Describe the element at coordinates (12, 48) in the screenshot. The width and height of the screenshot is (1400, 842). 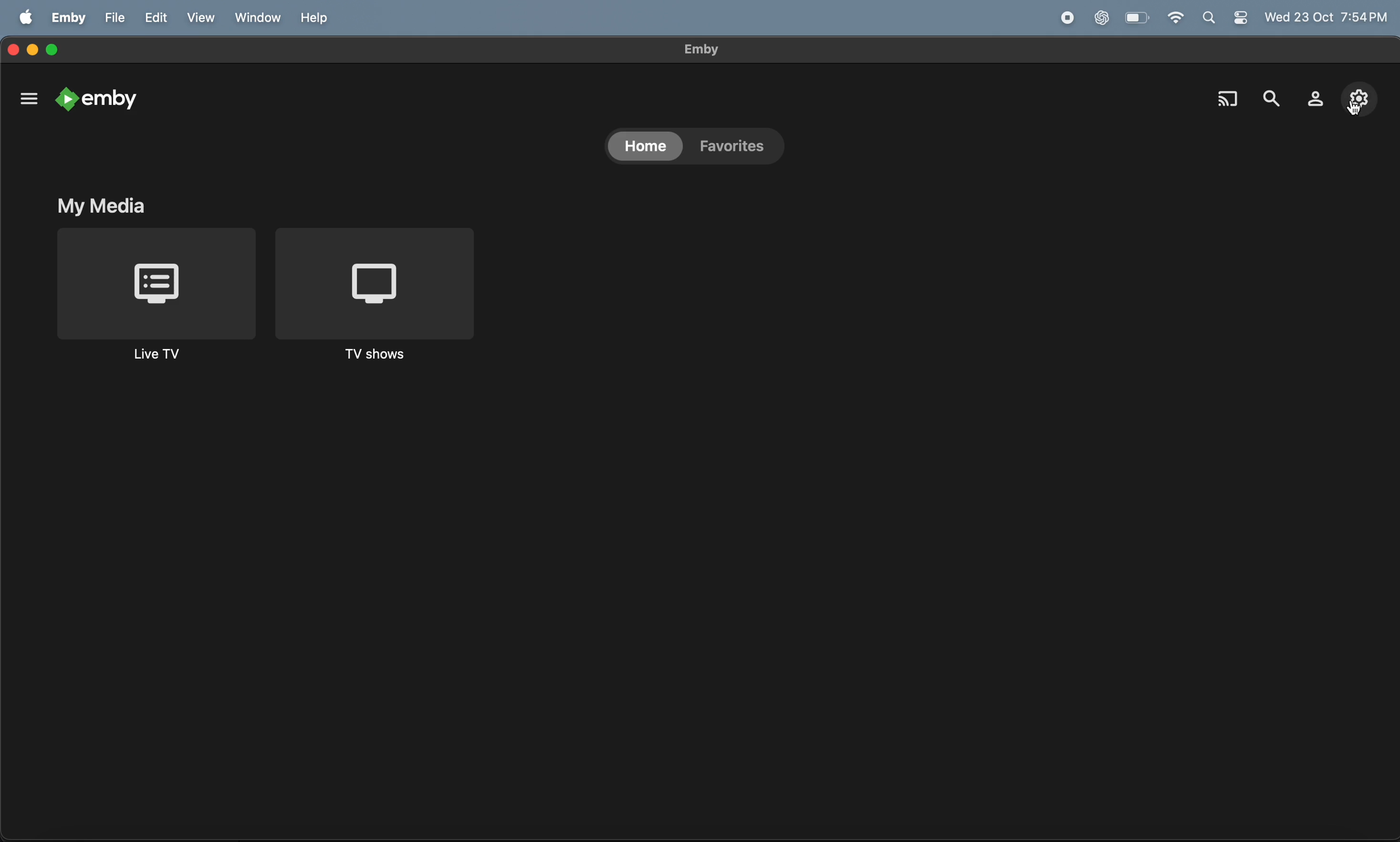
I see `closing window` at that location.